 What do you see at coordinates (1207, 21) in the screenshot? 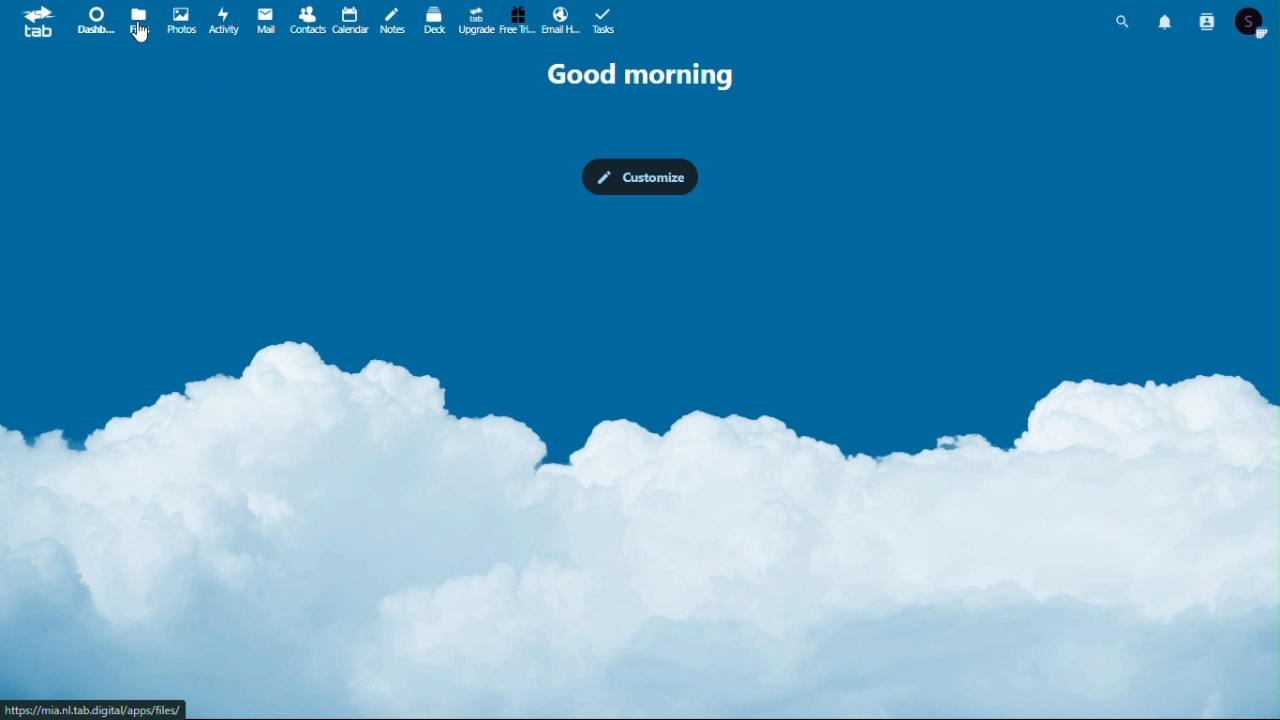
I see `Contacts` at bounding box center [1207, 21].